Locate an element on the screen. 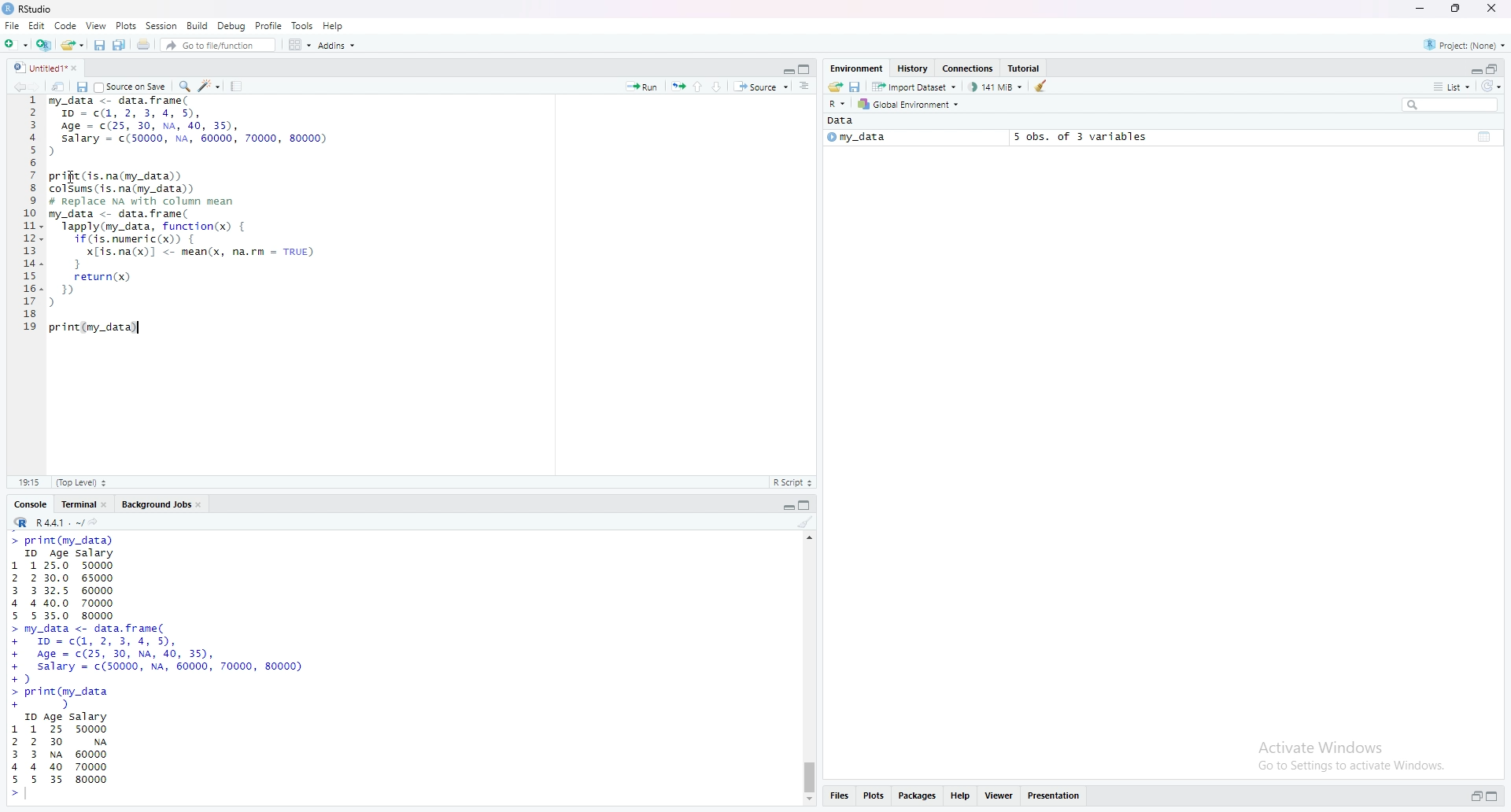 This screenshot has width=1511, height=812. R is located at coordinates (837, 105).